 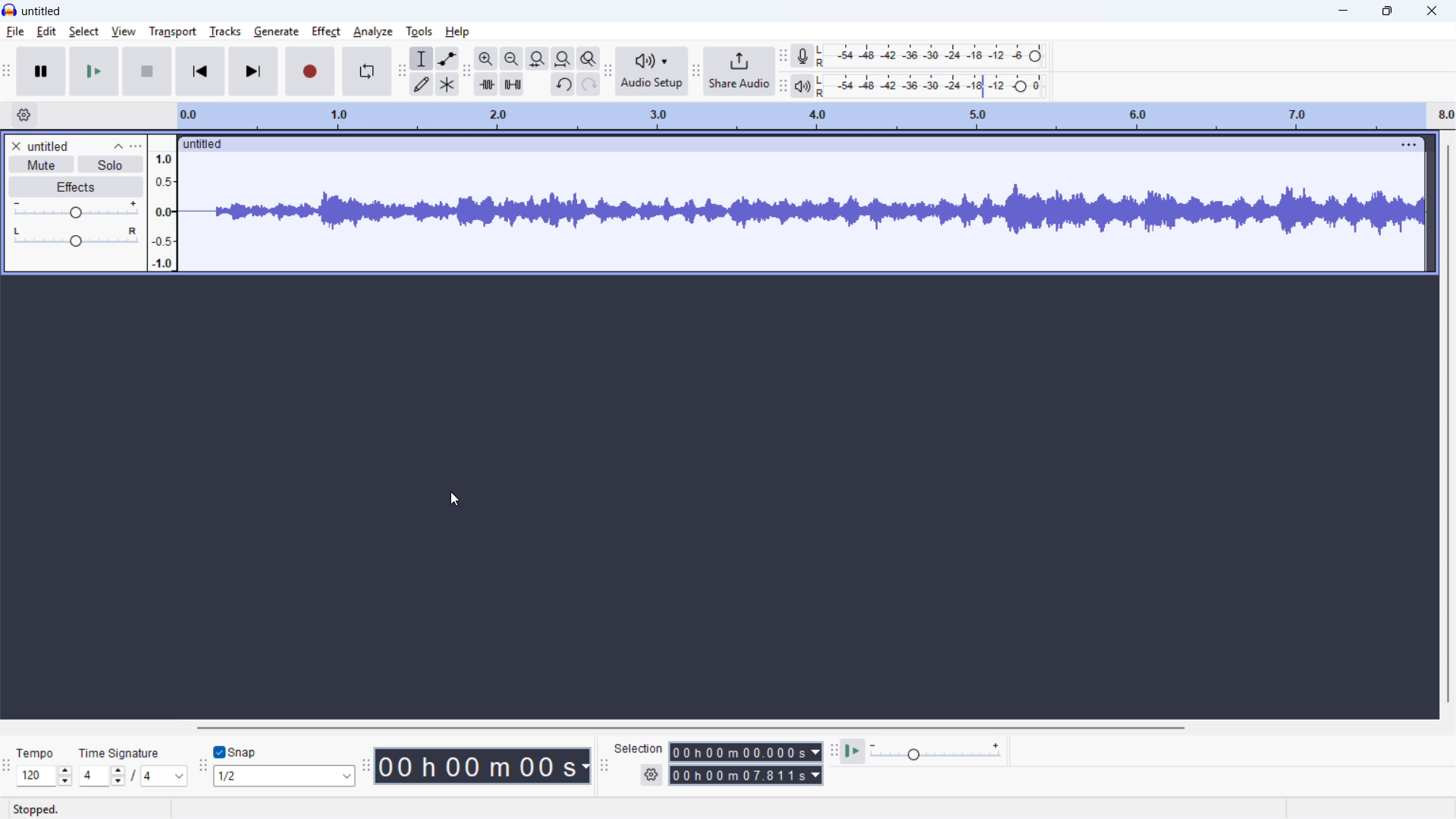 What do you see at coordinates (373, 32) in the screenshot?
I see `analyse` at bounding box center [373, 32].